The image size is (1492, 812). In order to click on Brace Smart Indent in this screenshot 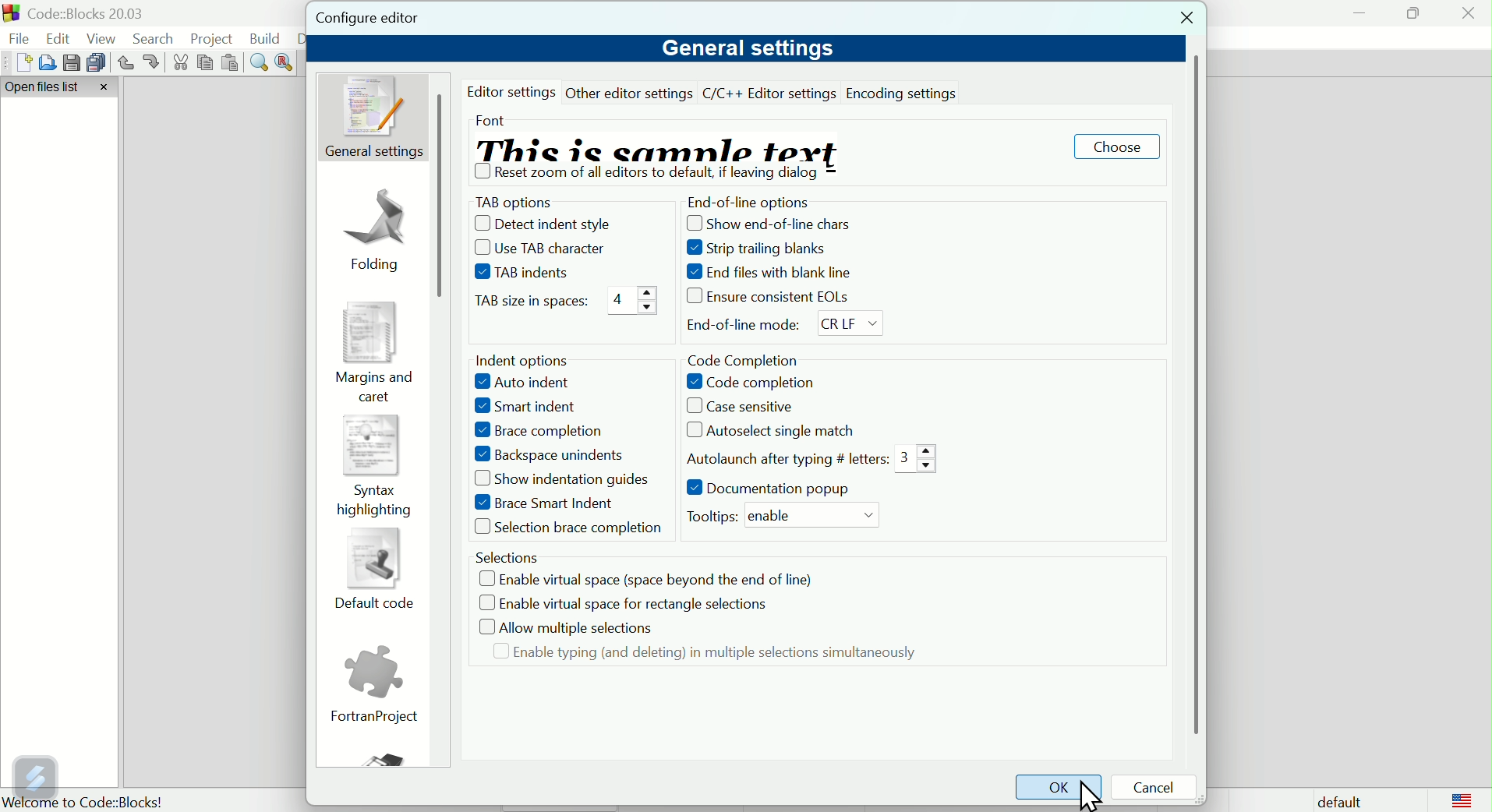, I will do `click(538, 503)`.